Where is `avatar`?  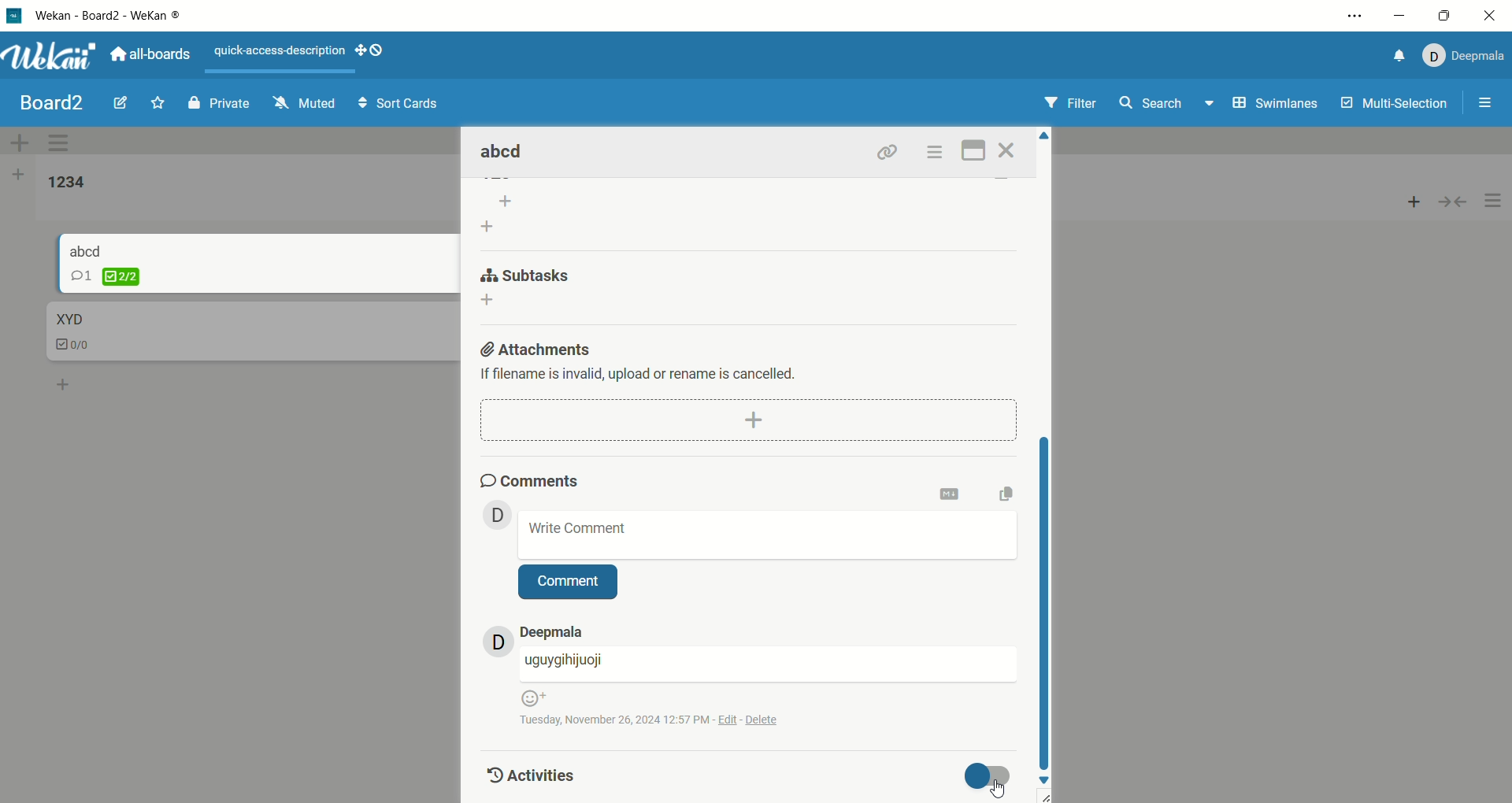
avatar is located at coordinates (498, 515).